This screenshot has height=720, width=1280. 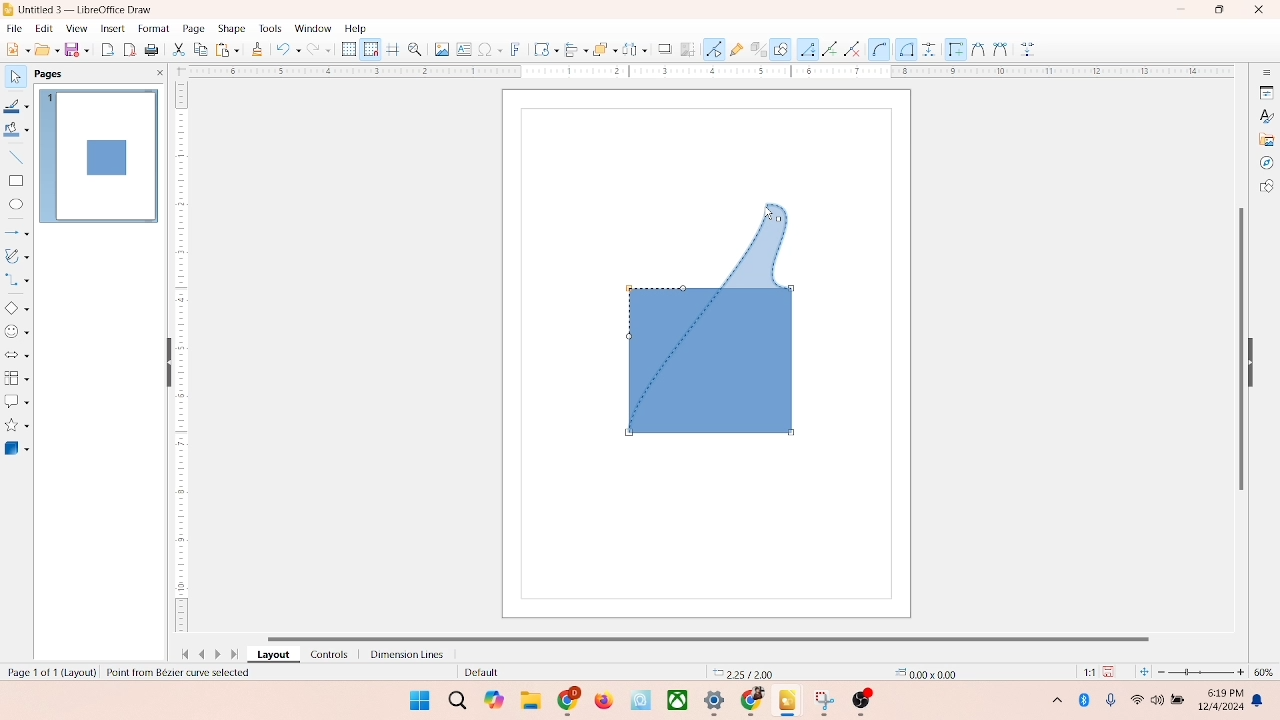 What do you see at coordinates (1266, 163) in the screenshot?
I see `navigator` at bounding box center [1266, 163].